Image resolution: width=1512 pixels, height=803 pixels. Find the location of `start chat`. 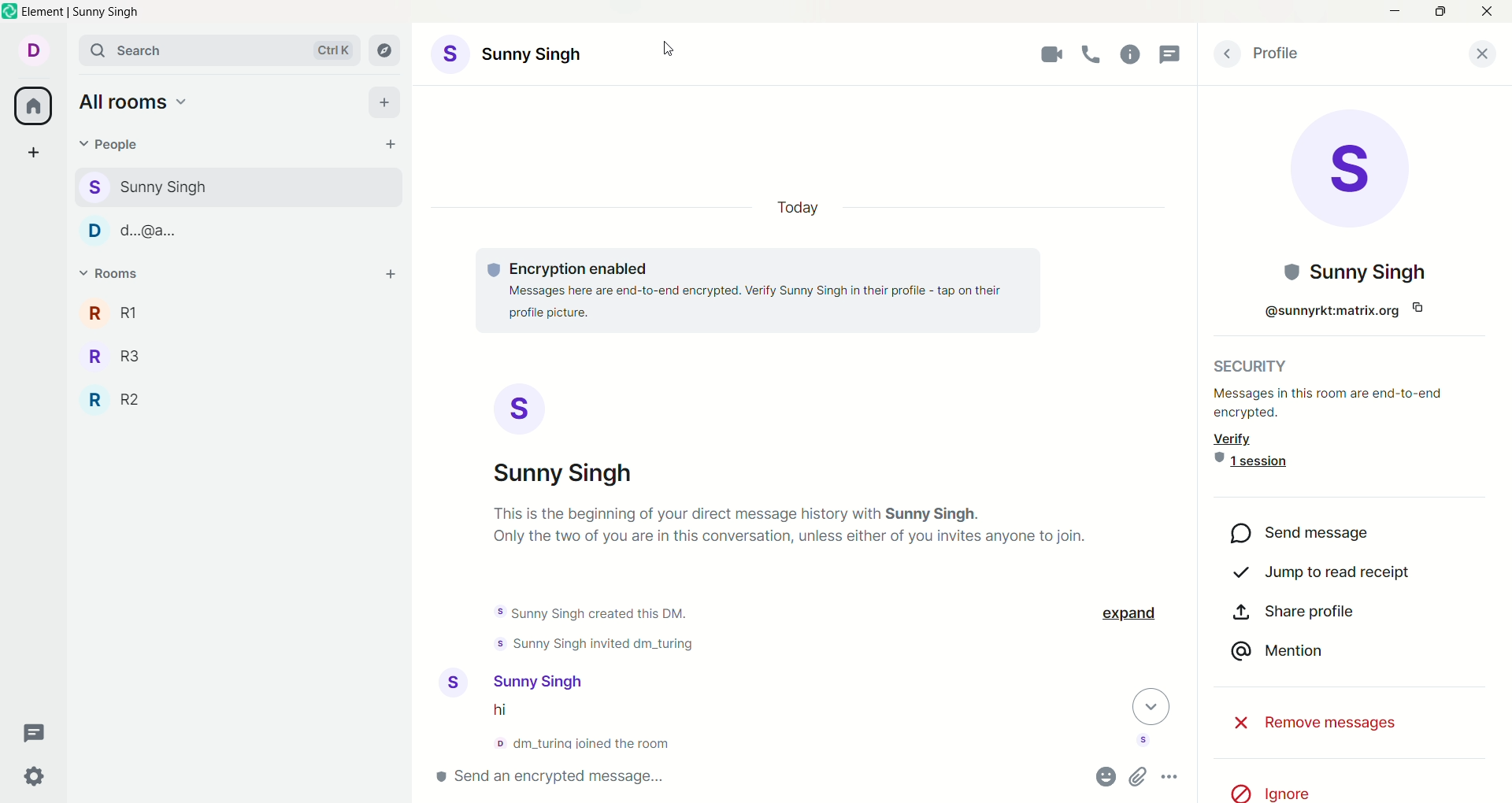

start chat is located at coordinates (393, 145).